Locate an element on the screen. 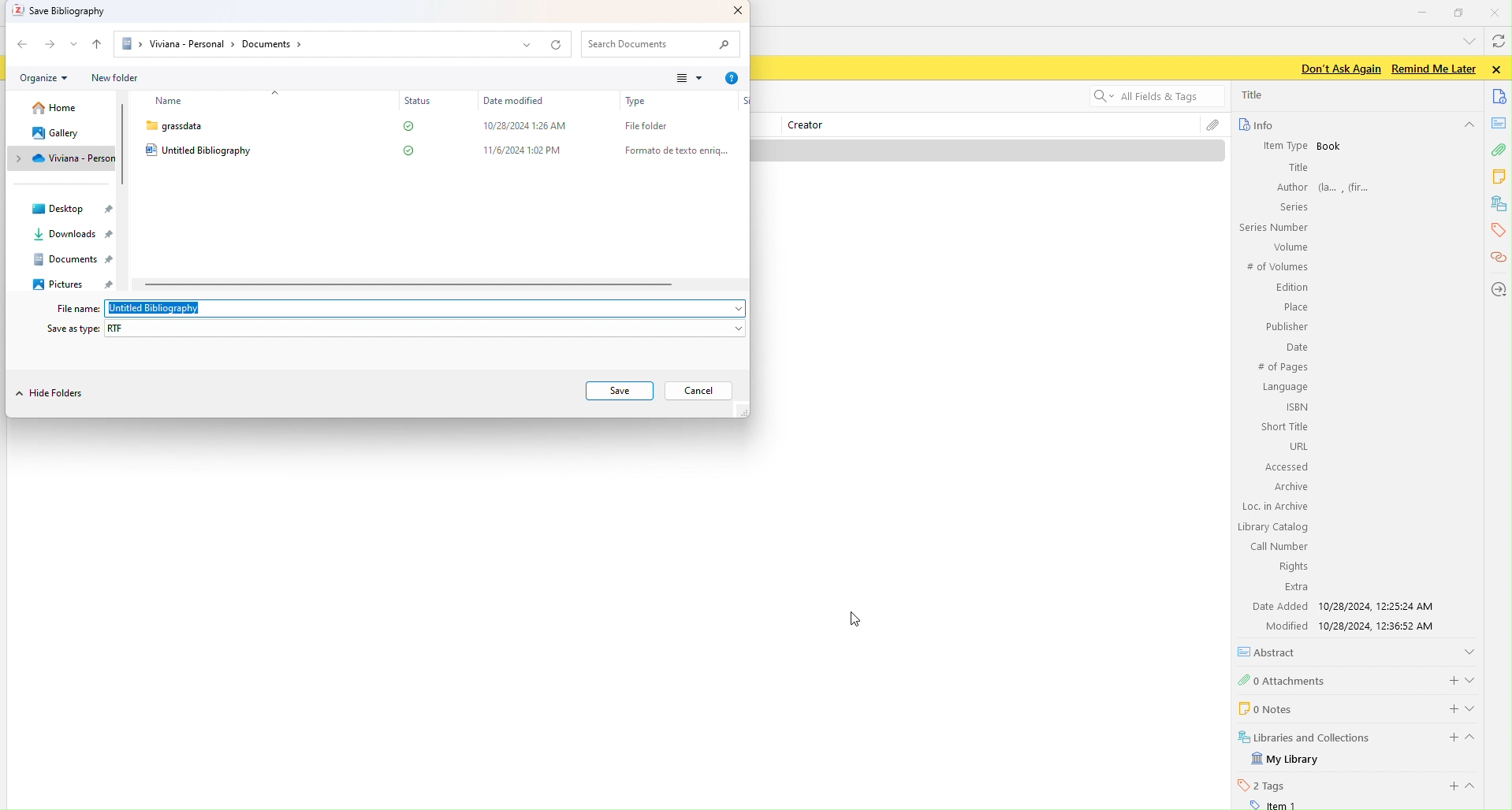 The width and height of the screenshot is (1512, 810). citations is located at coordinates (1497, 258).